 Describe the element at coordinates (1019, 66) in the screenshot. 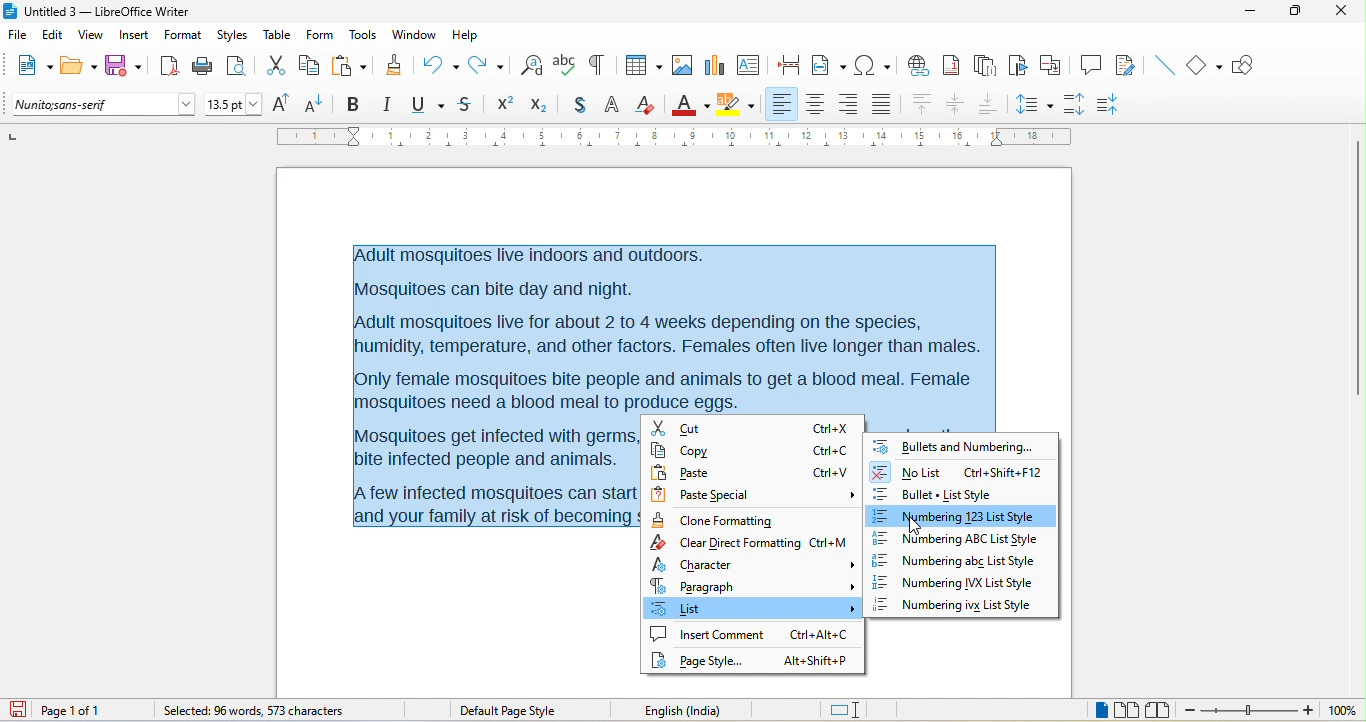

I see `bookmark` at that location.